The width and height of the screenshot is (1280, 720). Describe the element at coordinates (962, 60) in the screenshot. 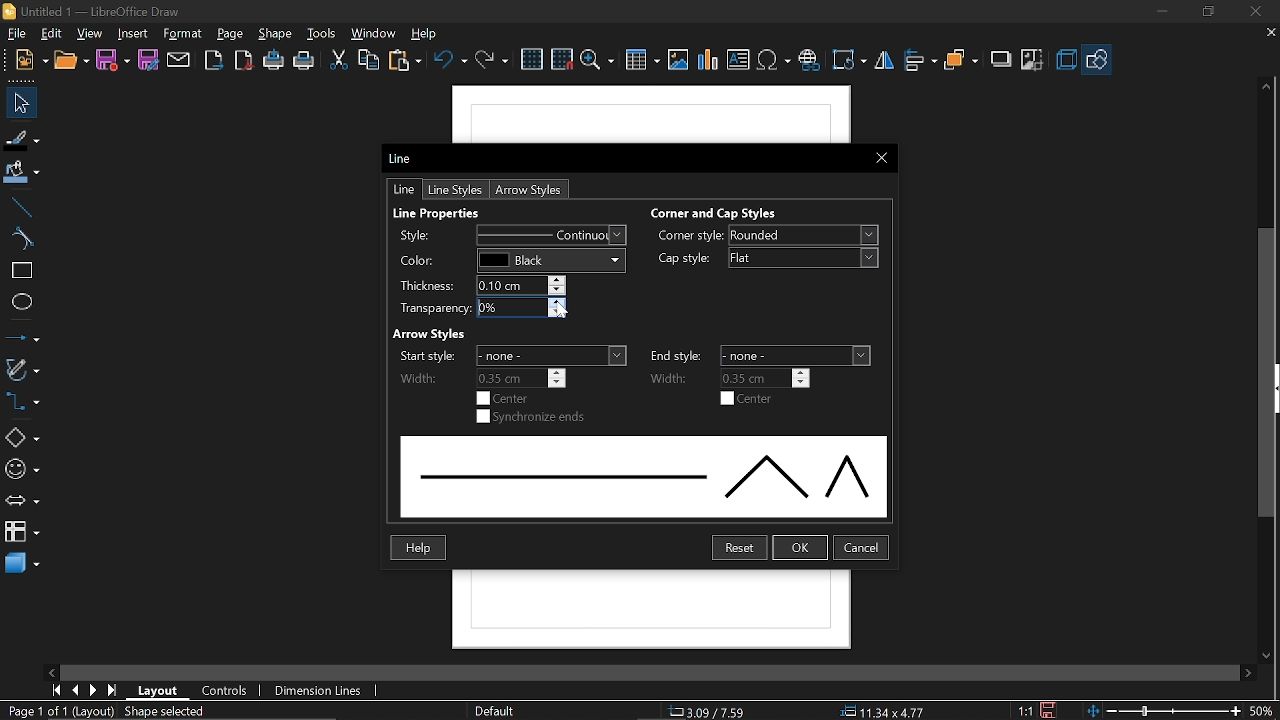

I see `arrange` at that location.